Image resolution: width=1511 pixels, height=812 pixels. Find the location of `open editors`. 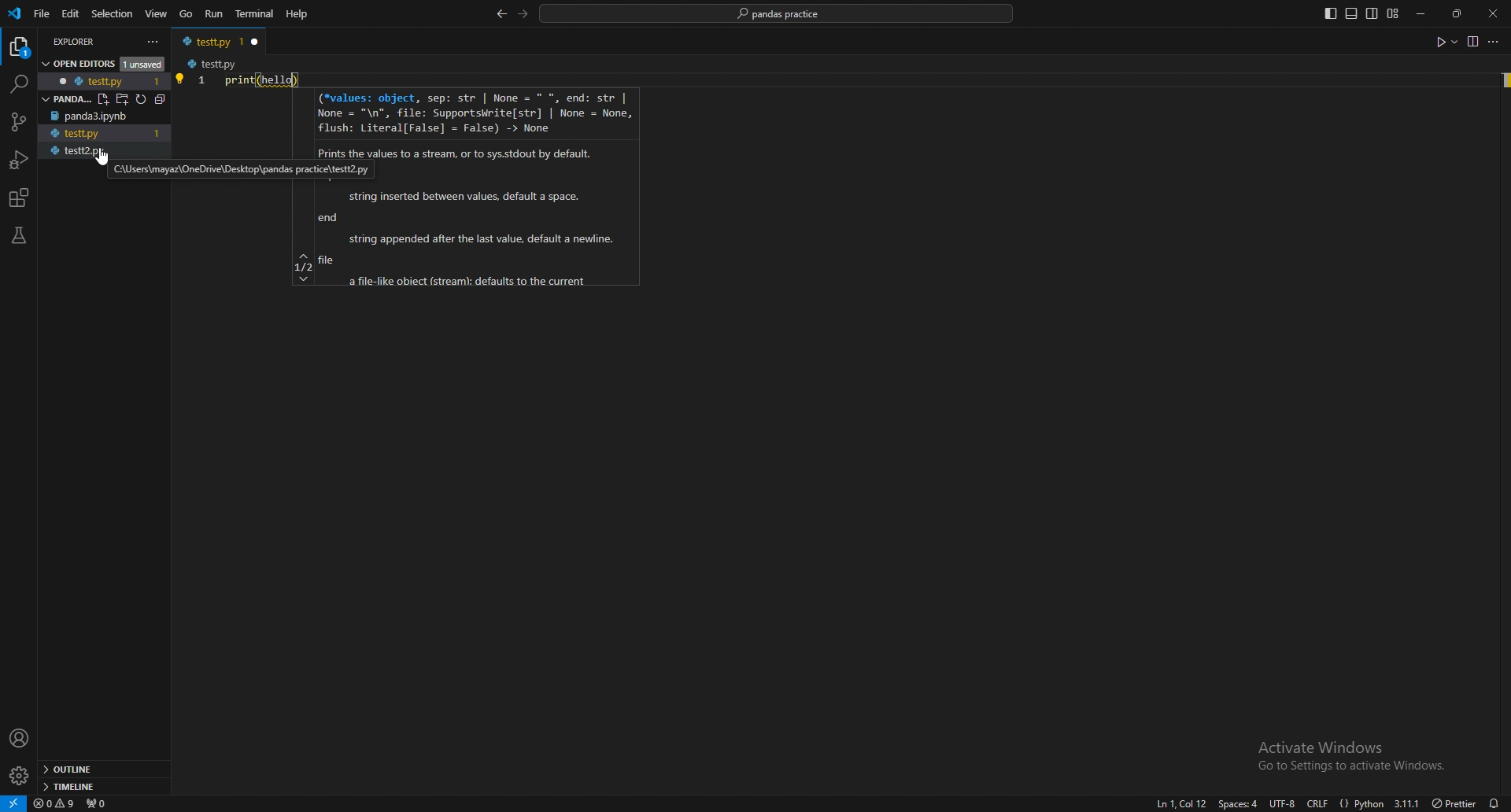

open editors is located at coordinates (99, 62).